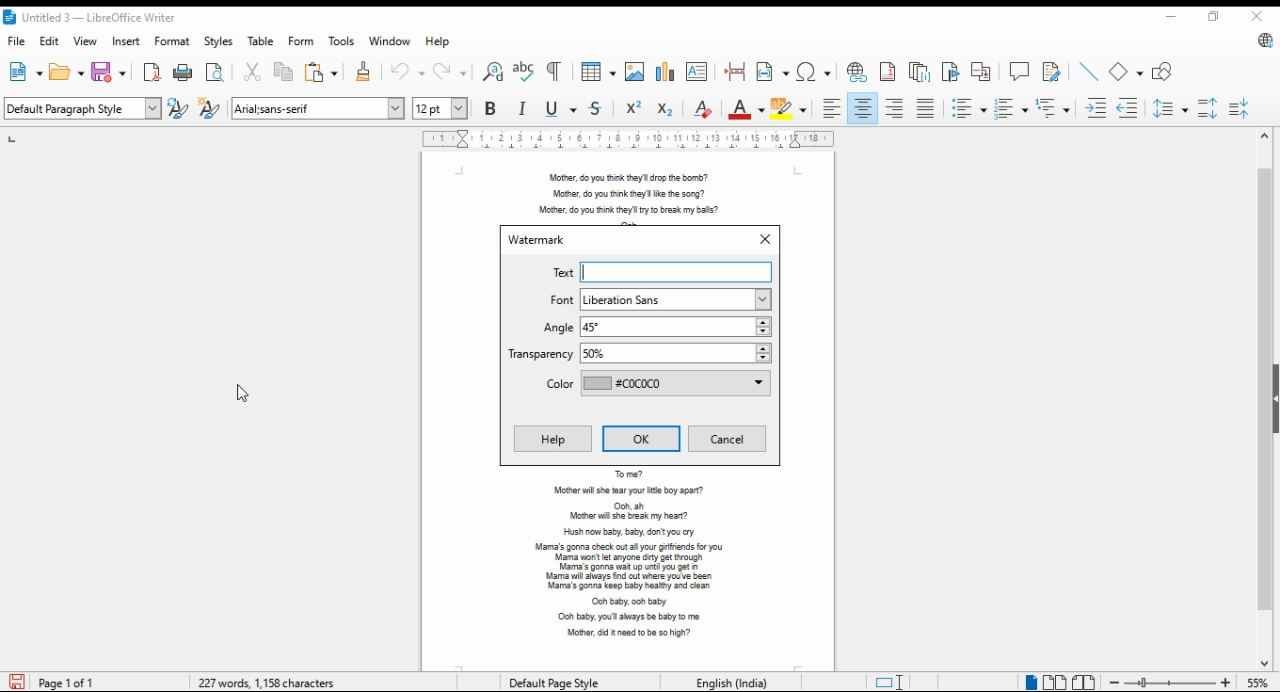  Describe the element at coordinates (638, 438) in the screenshot. I see `ok` at that location.